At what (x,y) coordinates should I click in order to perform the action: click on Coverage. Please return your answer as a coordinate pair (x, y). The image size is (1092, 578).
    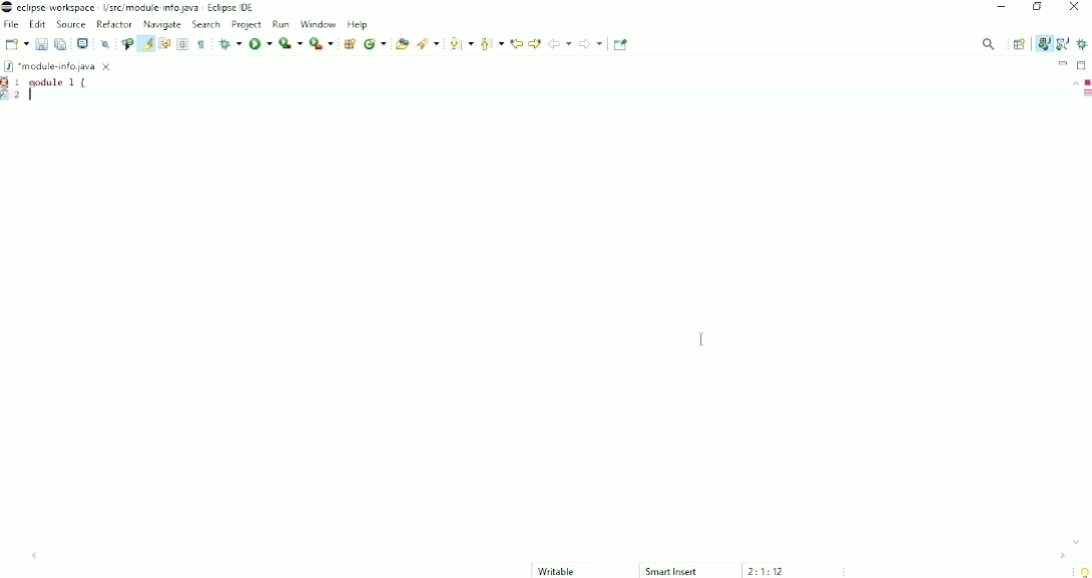
    Looking at the image, I should click on (290, 43).